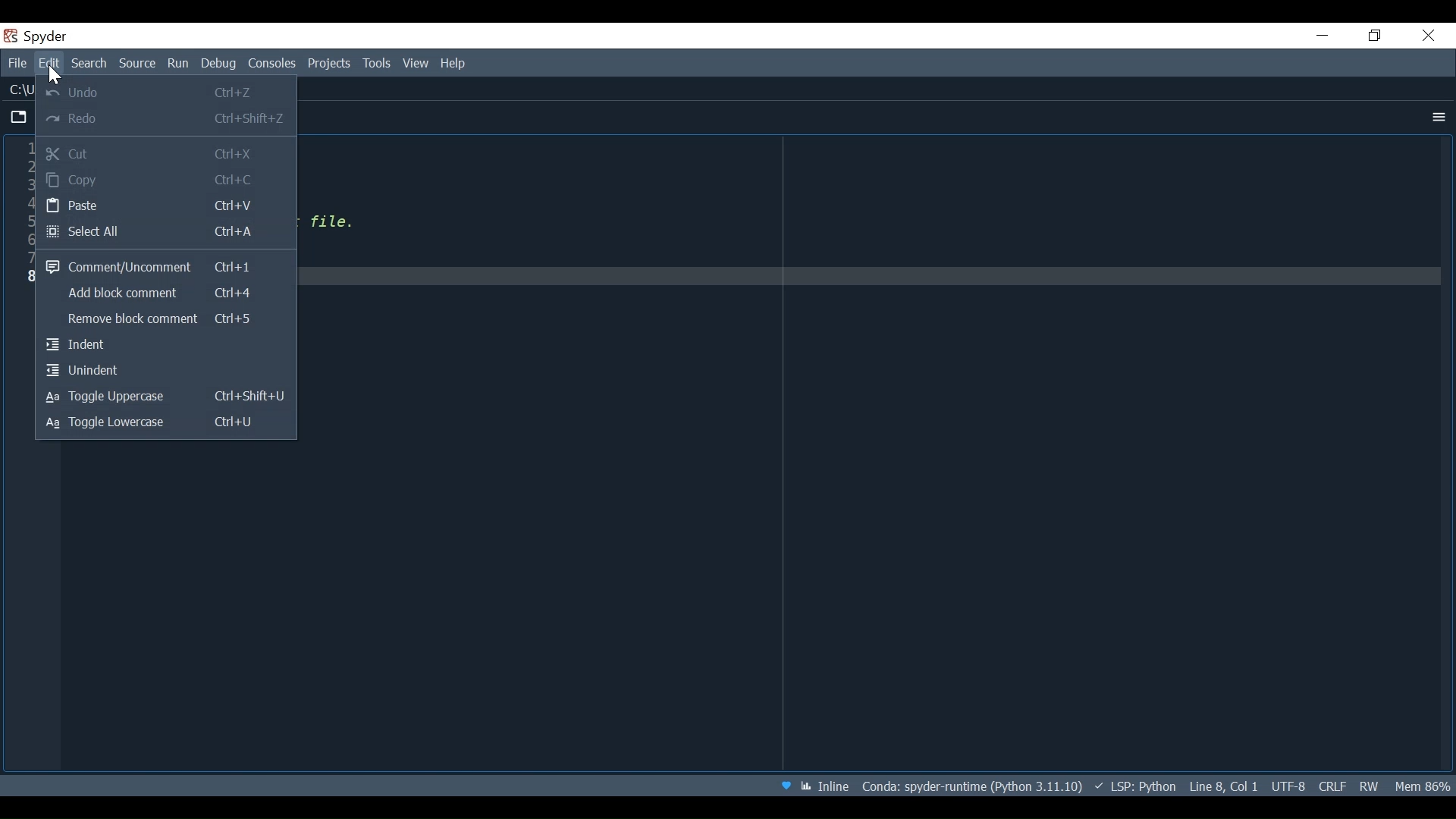 This screenshot has width=1456, height=819. Describe the element at coordinates (119, 296) in the screenshot. I see `Add block comment` at that location.